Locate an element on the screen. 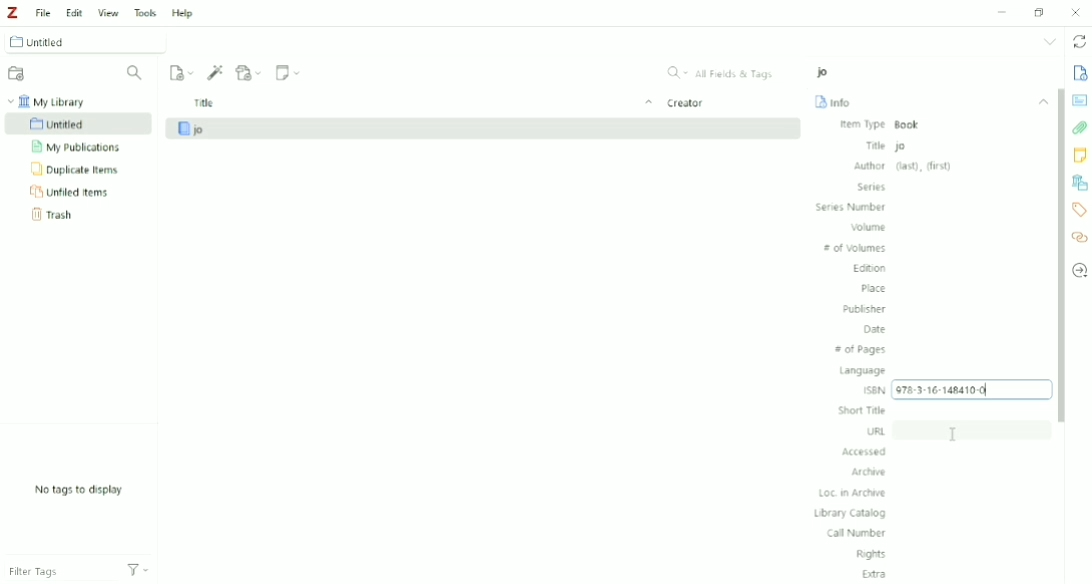 The width and height of the screenshot is (1092, 584). Add Item (s) by Identifier is located at coordinates (214, 71).